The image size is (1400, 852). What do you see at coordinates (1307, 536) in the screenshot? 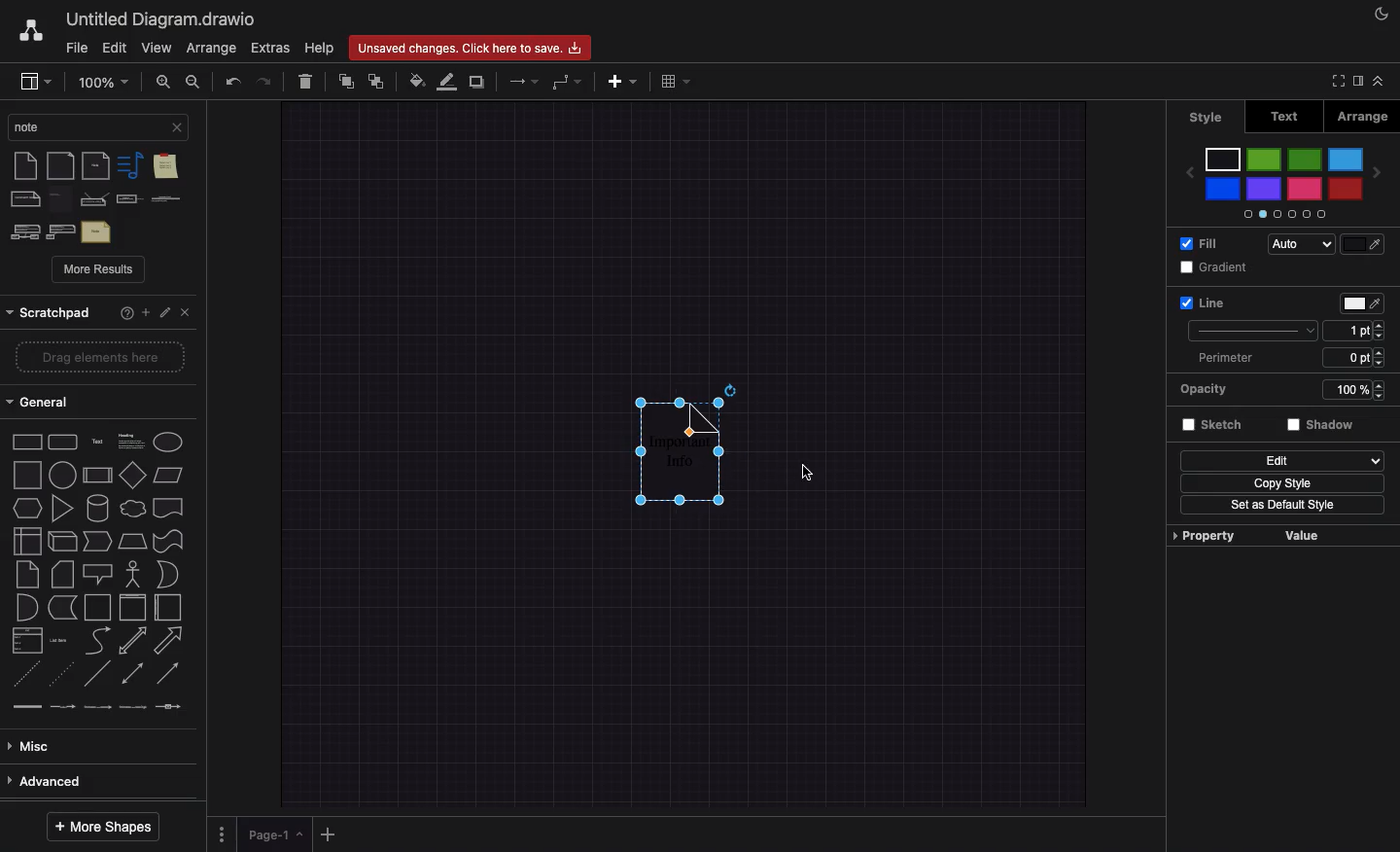
I see `value` at bounding box center [1307, 536].